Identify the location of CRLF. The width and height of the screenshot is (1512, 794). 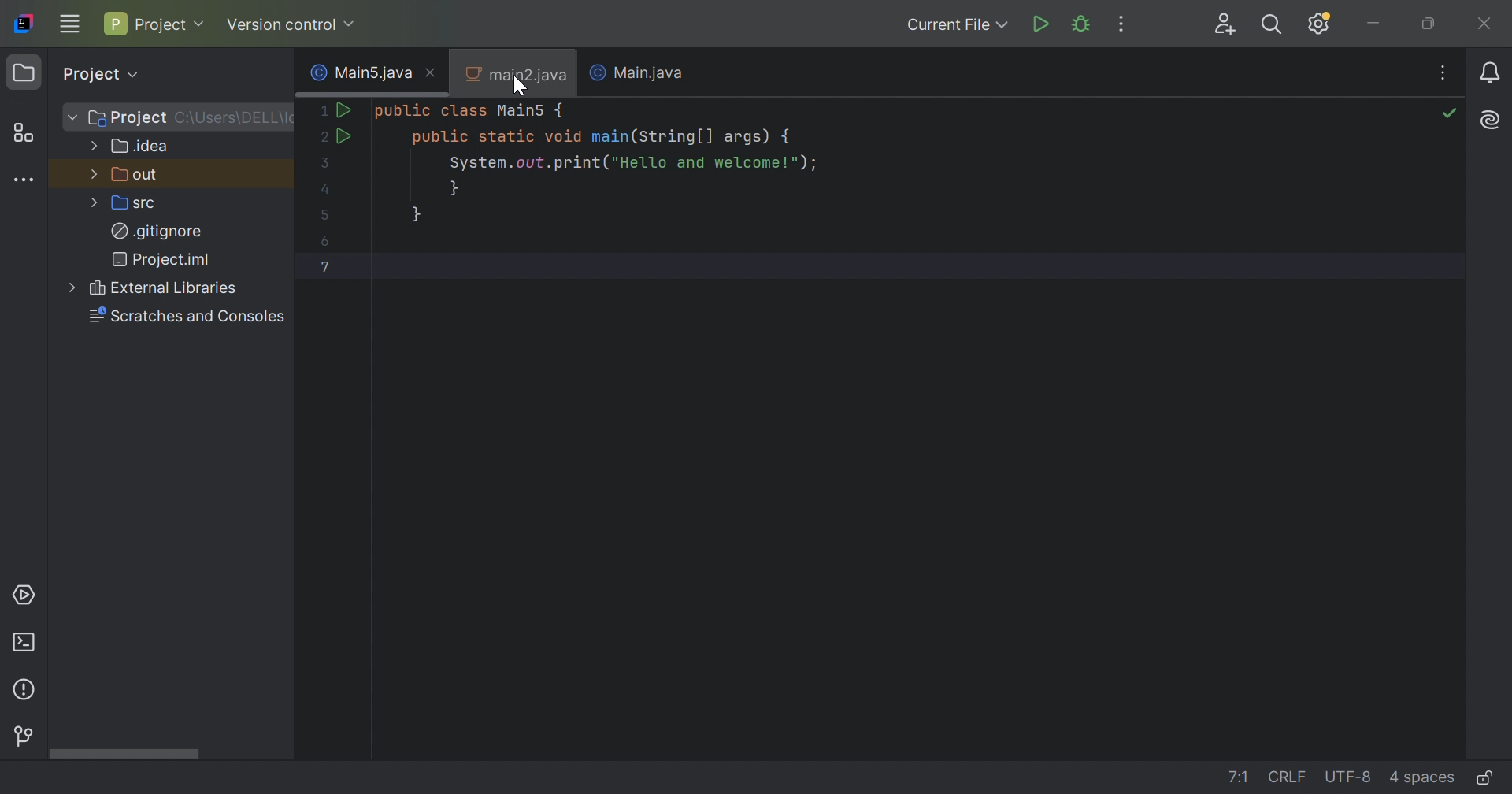
(1290, 780).